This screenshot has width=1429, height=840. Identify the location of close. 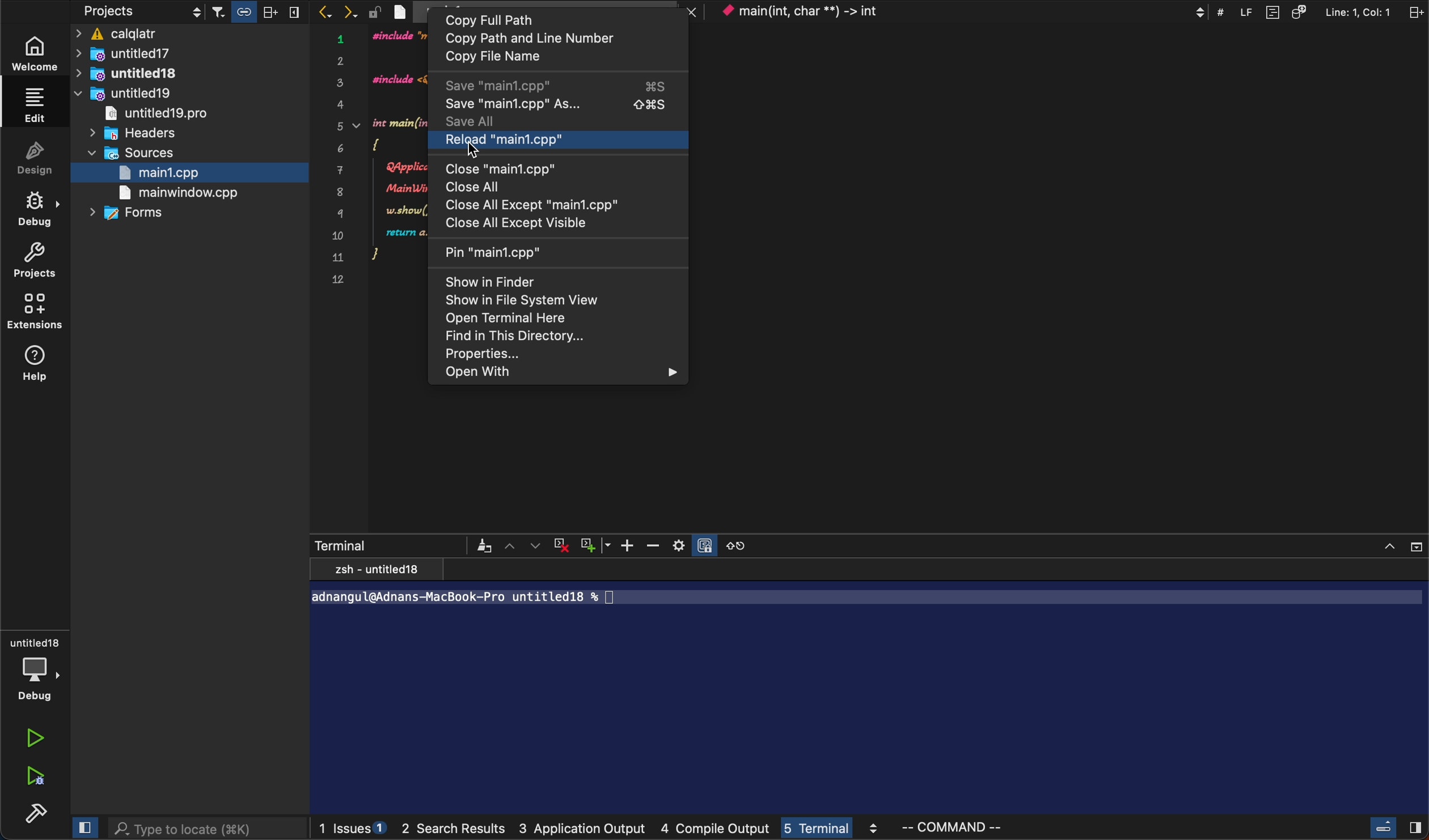
(496, 168).